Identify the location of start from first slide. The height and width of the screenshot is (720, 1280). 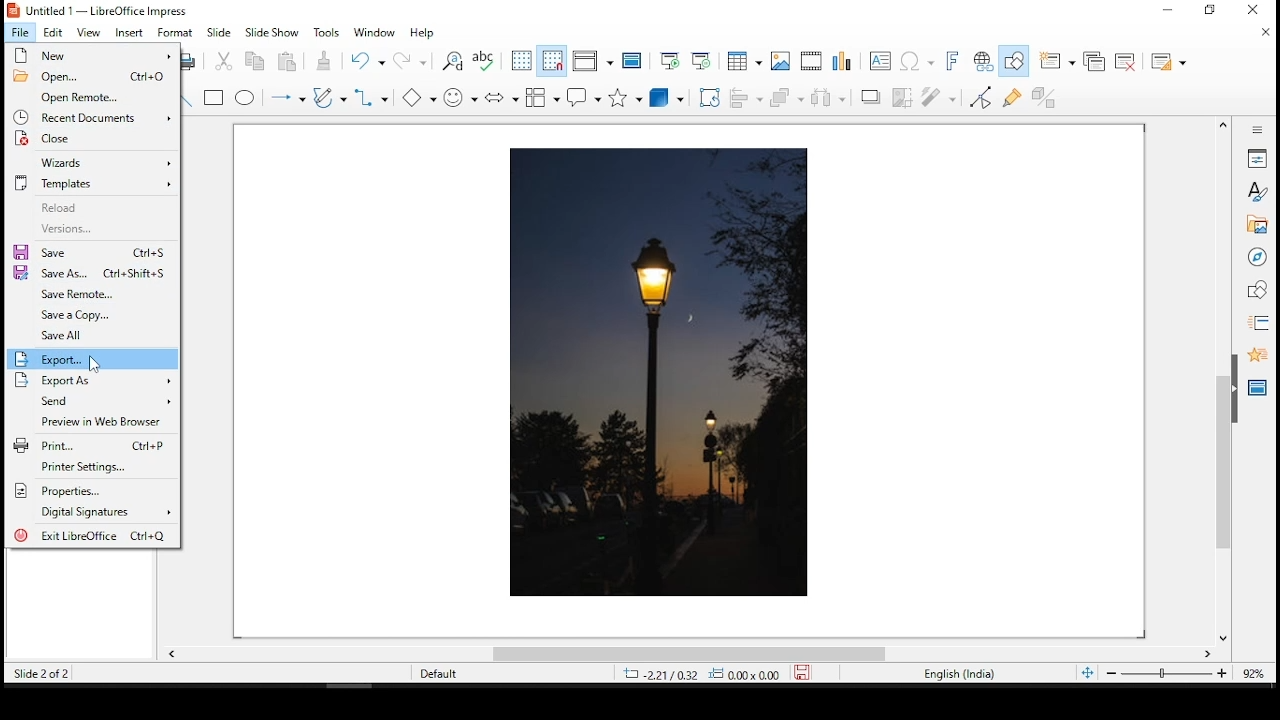
(670, 60).